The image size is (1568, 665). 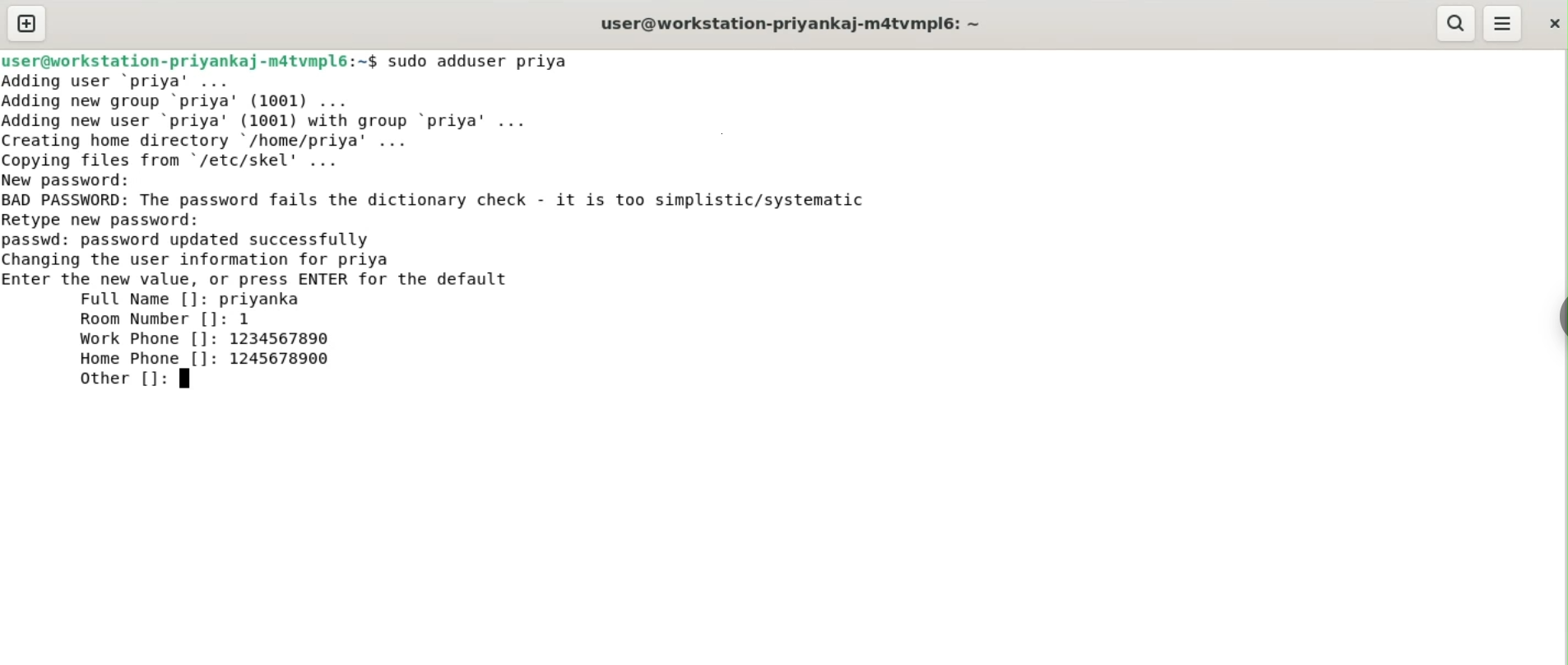 What do you see at coordinates (295, 257) in the screenshot?
I see `passwd: password updated successfully    changing the user information for priya  enter the new value, or press ENTER for default value` at bounding box center [295, 257].